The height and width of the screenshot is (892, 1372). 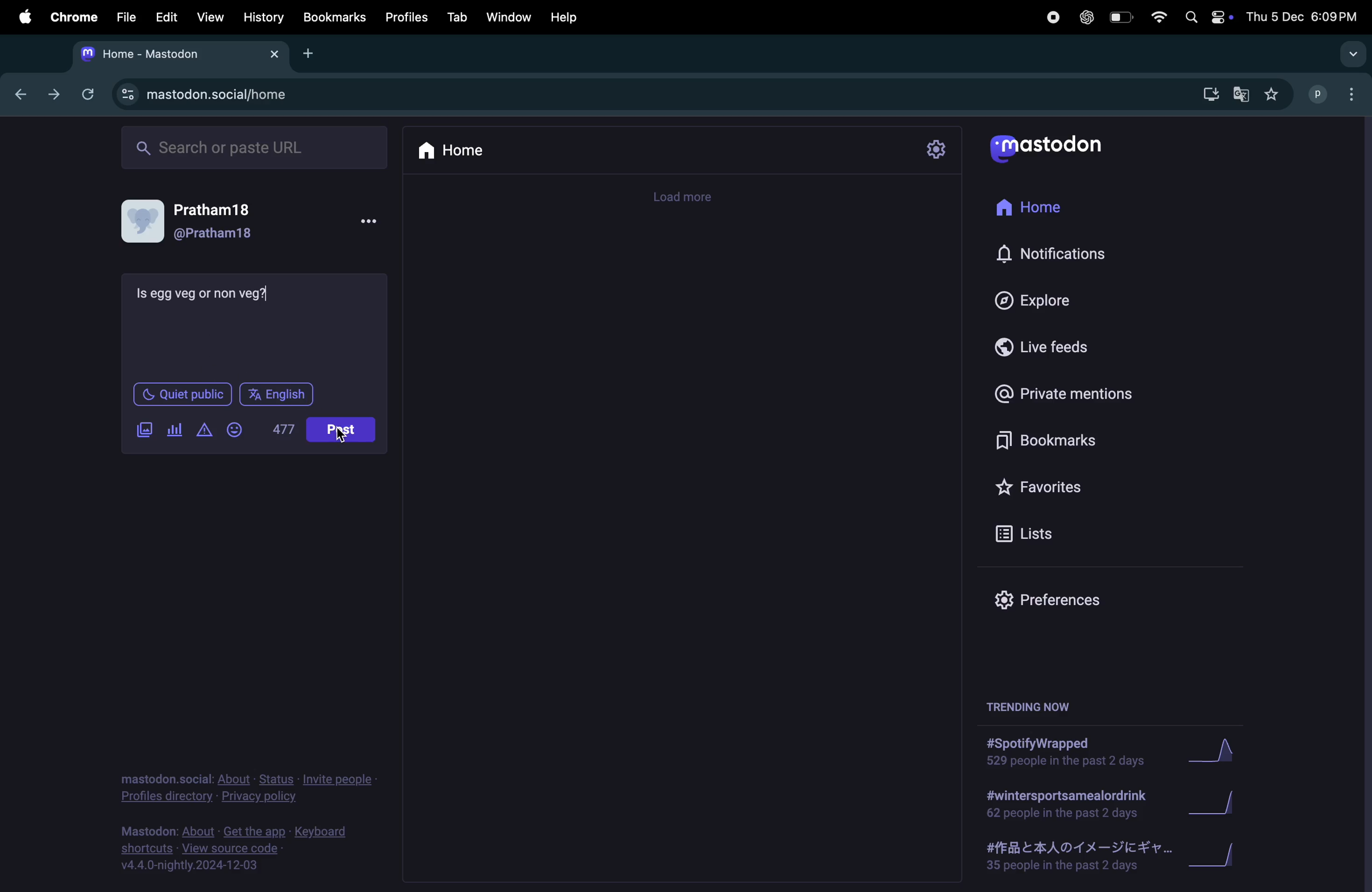 I want to click on date and time, so click(x=1305, y=16).